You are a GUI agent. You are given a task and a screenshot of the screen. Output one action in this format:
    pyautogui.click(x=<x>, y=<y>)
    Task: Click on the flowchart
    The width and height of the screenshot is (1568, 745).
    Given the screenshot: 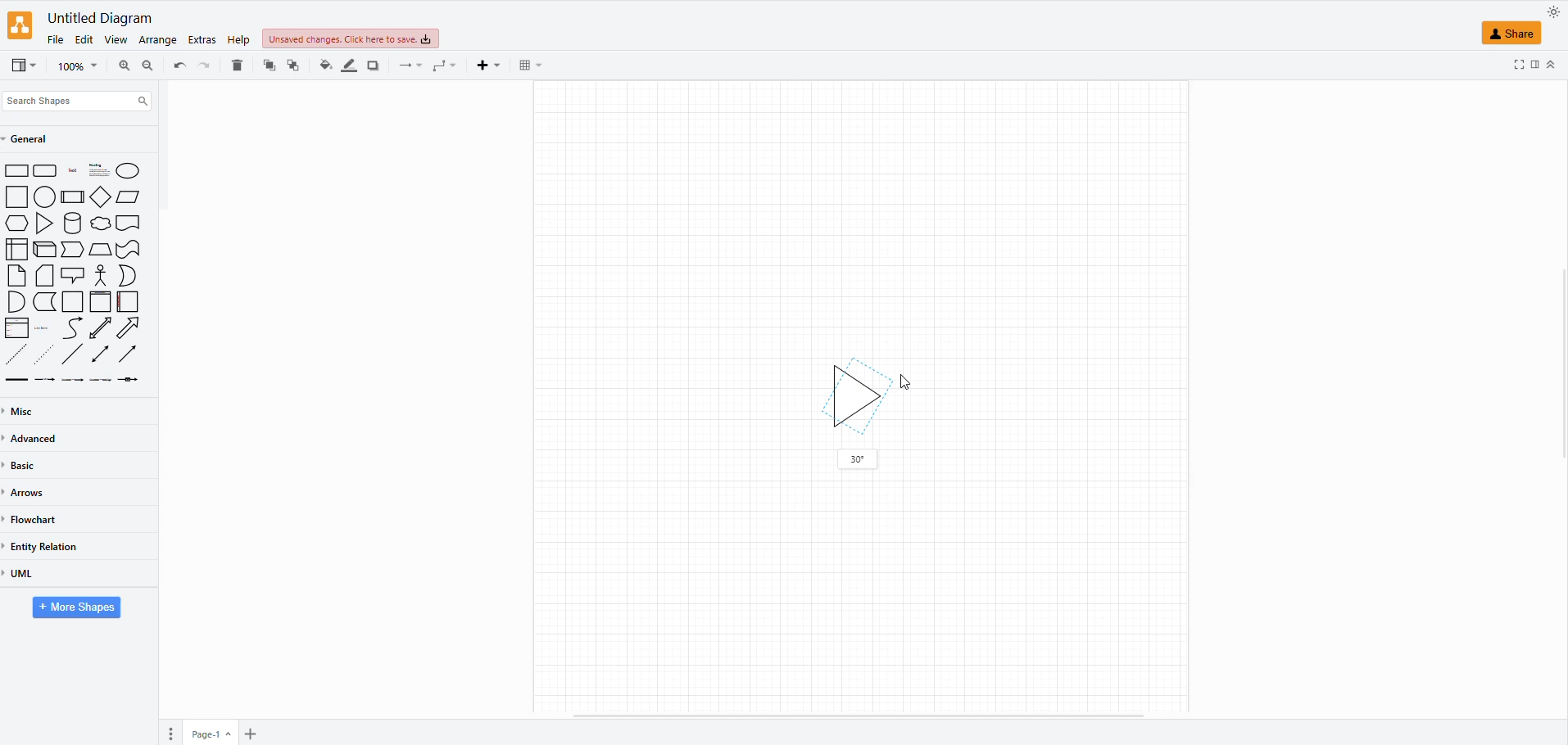 What is the action you would take?
    pyautogui.click(x=39, y=516)
    